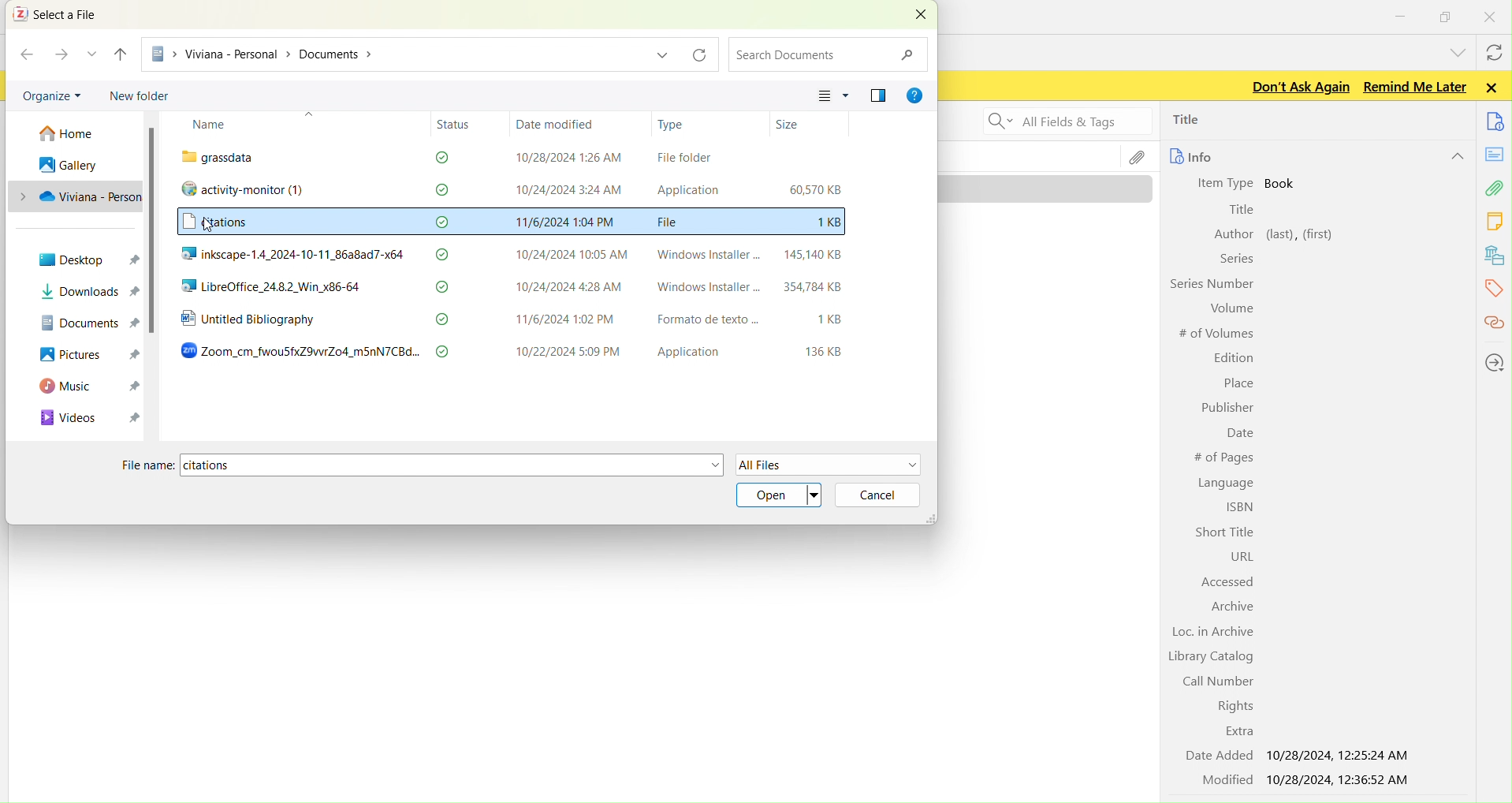 Image resolution: width=1512 pixels, height=803 pixels. Describe the element at coordinates (1211, 285) in the screenshot. I see `Series Number` at that location.